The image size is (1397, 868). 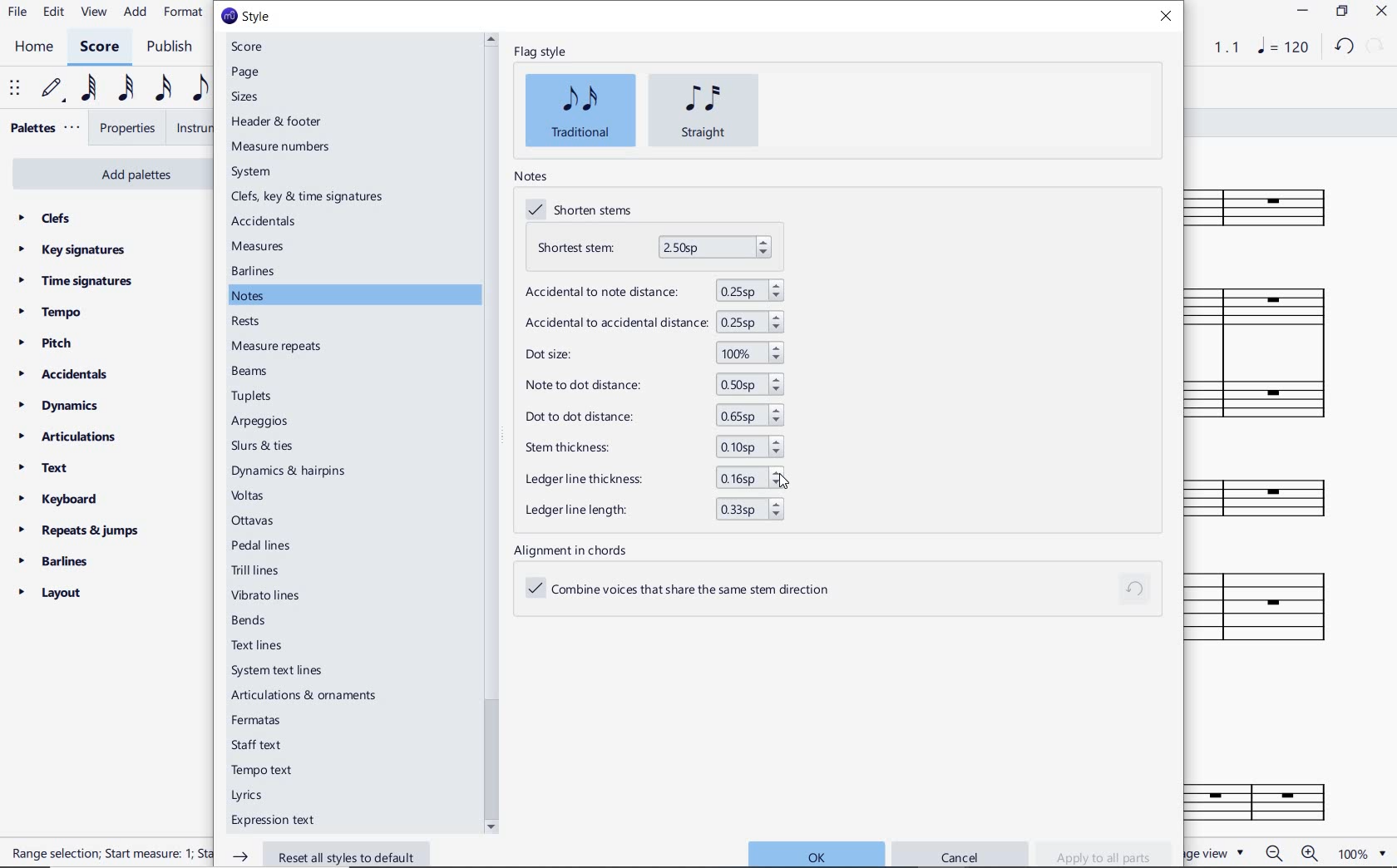 What do you see at coordinates (269, 595) in the screenshot?
I see `vibrato lines` at bounding box center [269, 595].